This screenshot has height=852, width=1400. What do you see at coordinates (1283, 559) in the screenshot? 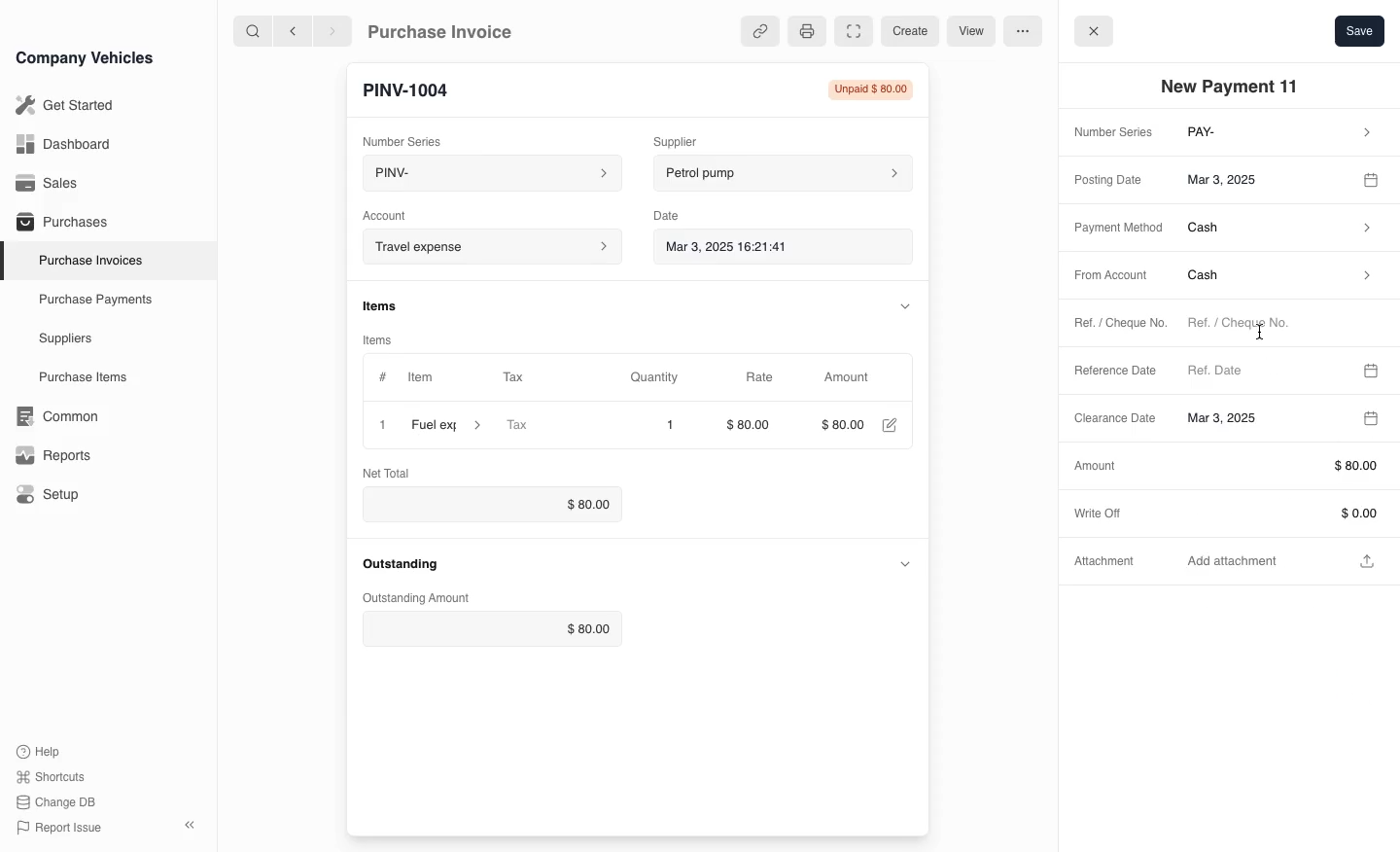
I see ` Add attachment` at bounding box center [1283, 559].